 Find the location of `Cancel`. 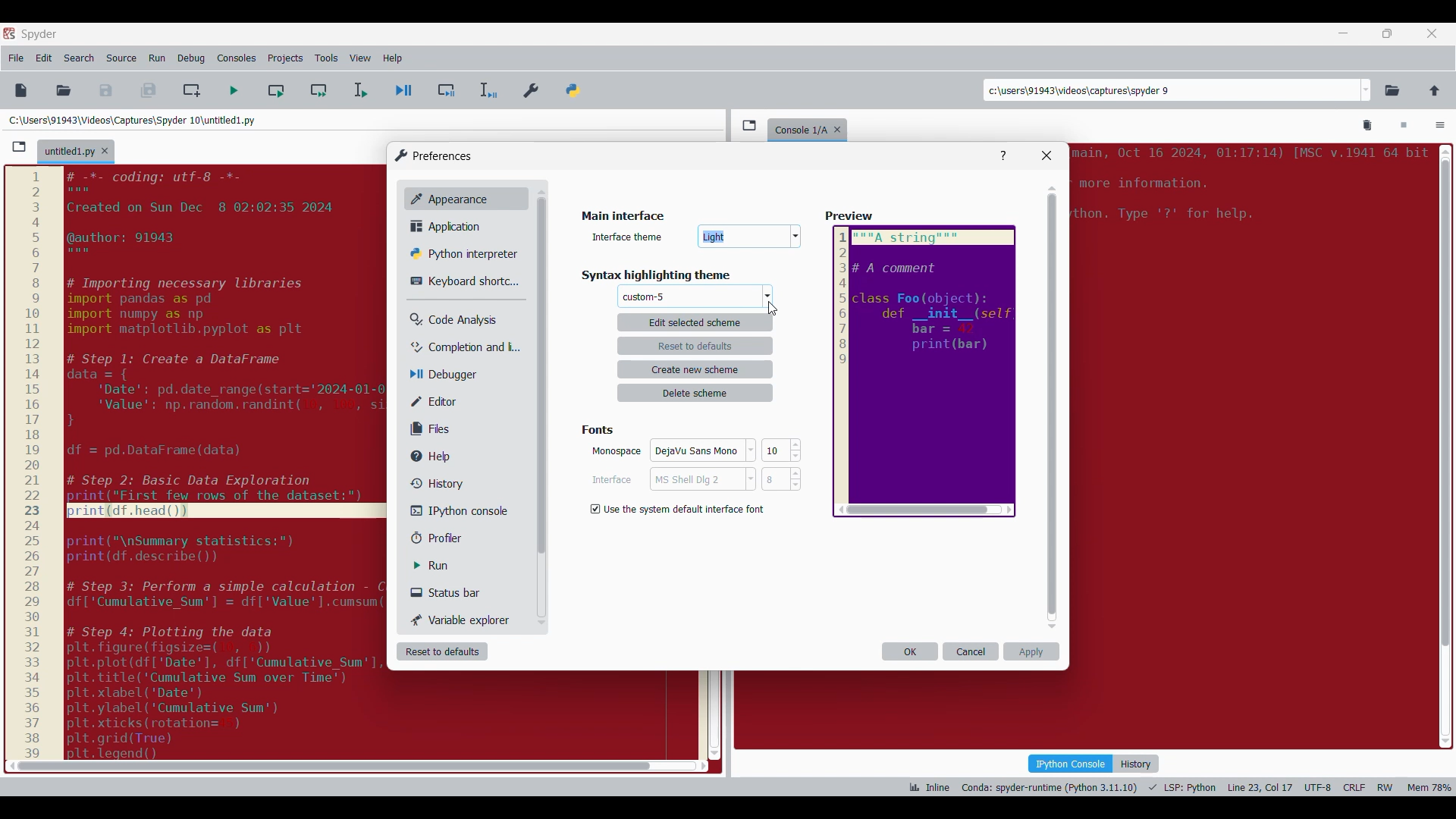

Cancel is located at coordinates (971, 651).